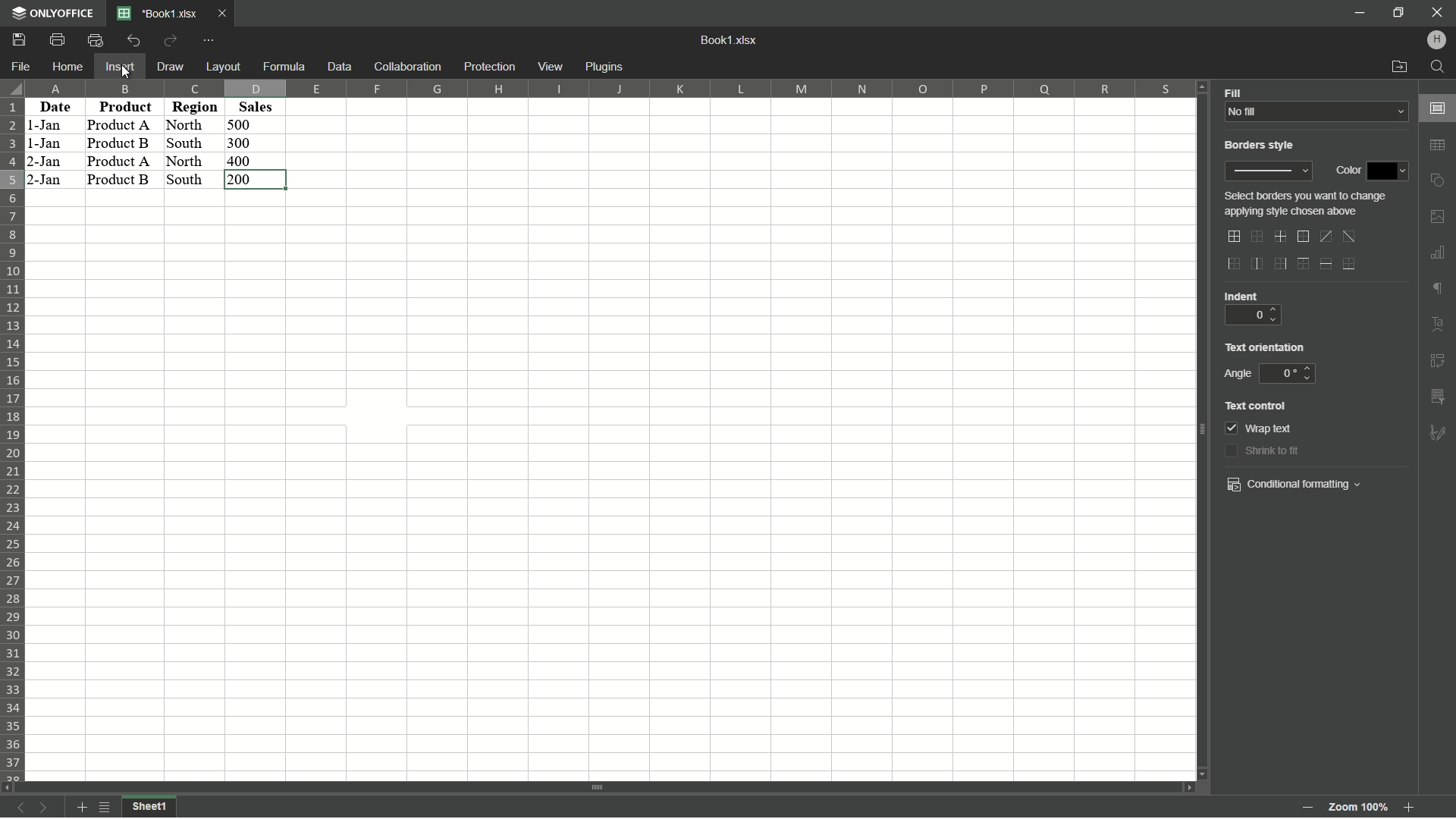 The width and height of the screenshot is (1456, 819). What do you see at coordinates (1439, 67) in the screenshot?
I see `find` at bounding box center [1439, 67].